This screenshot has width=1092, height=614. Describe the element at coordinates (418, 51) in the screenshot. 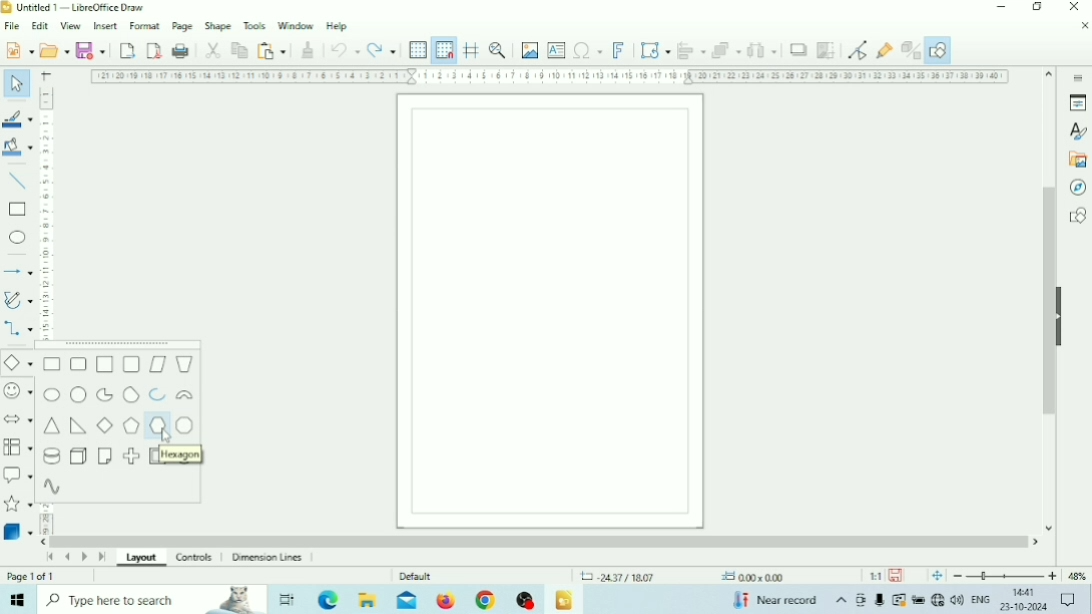

I see `Display Grid` at that location.